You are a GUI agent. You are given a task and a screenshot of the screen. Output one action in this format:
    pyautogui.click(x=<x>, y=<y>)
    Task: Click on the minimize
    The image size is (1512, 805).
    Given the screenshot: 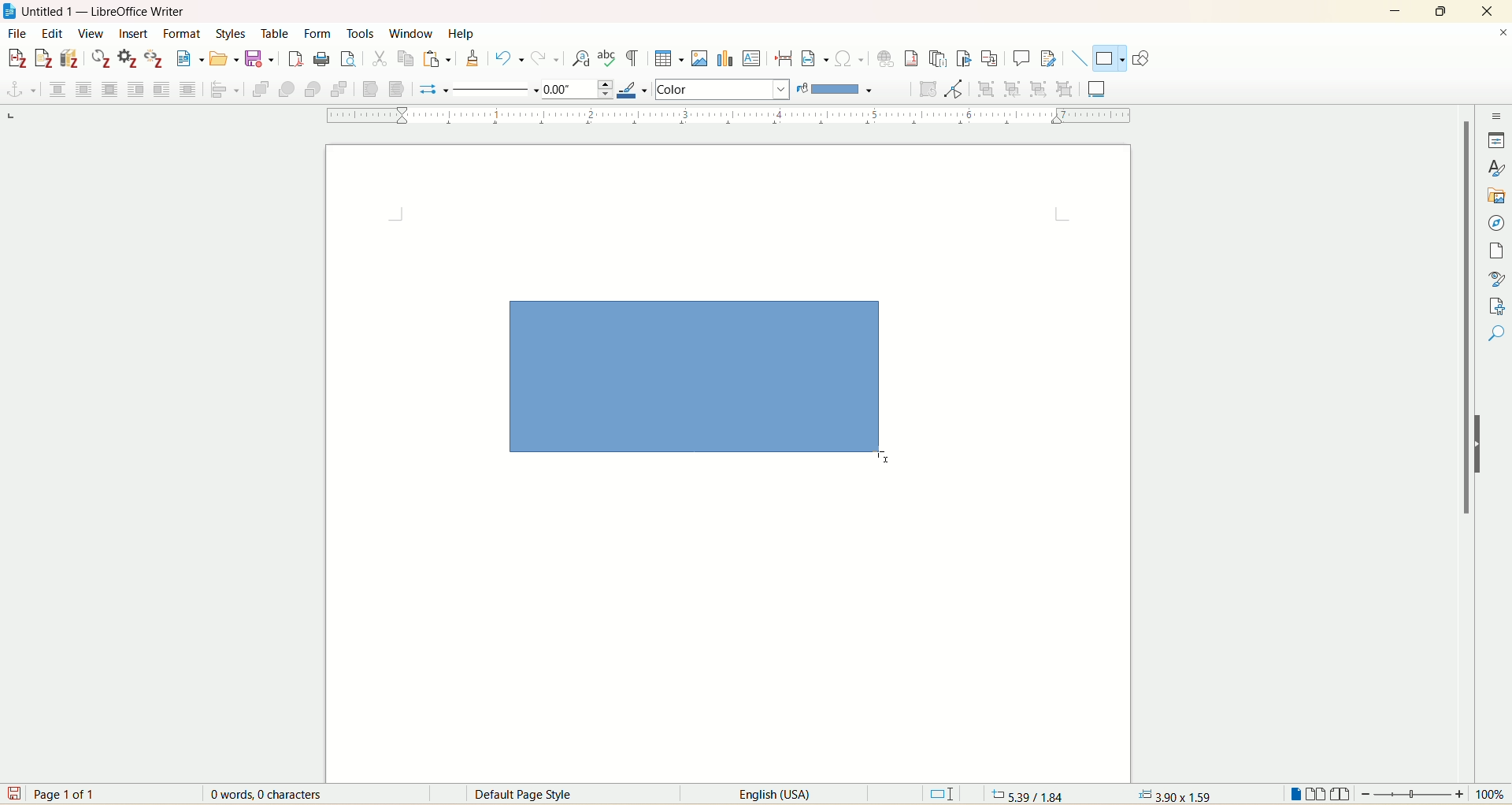 What is the action you would take?
    pyautogui.click(x=1395, y=9)
    